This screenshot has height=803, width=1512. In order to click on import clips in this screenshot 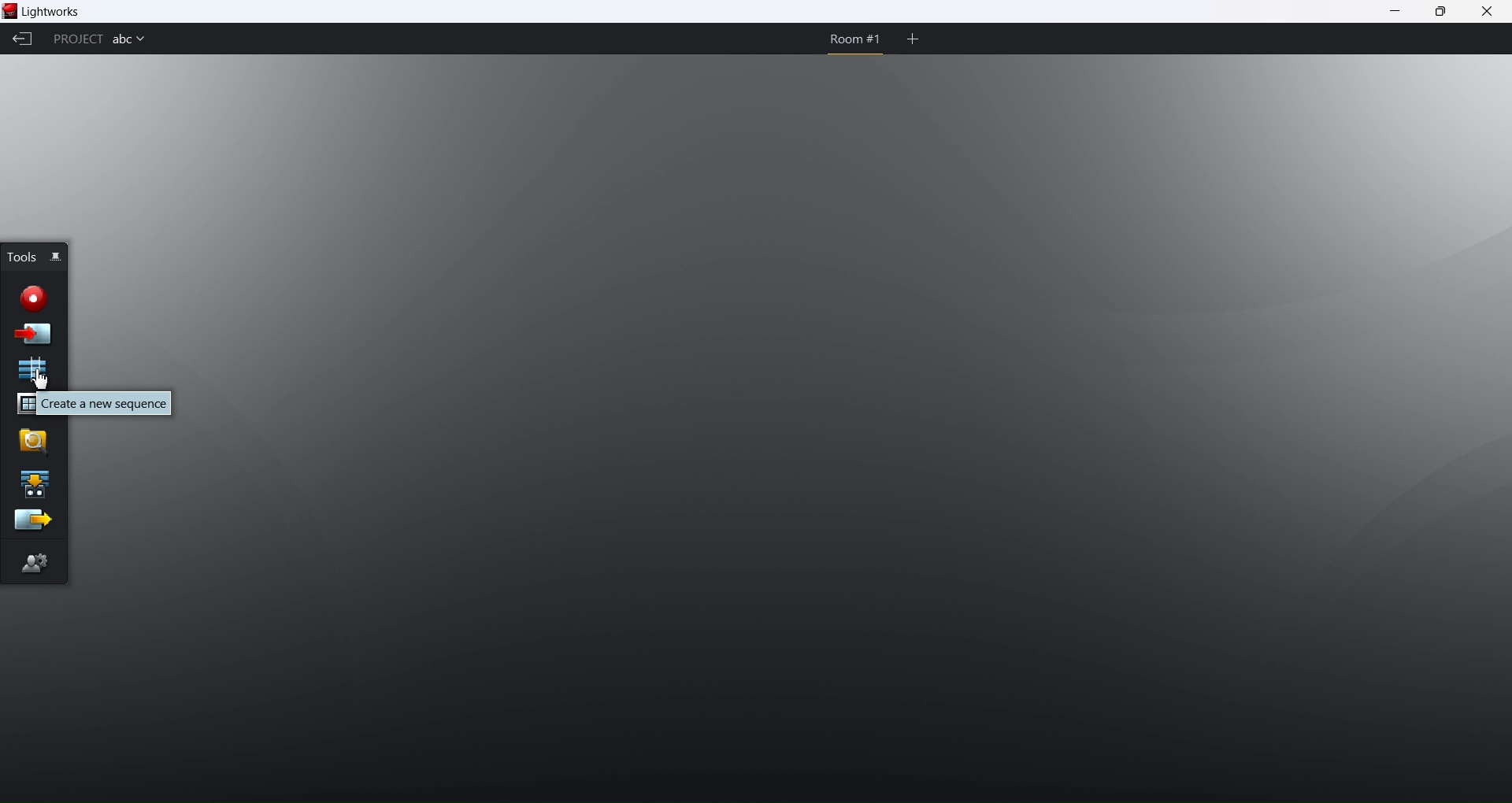, I will do `click(34, 335)`.